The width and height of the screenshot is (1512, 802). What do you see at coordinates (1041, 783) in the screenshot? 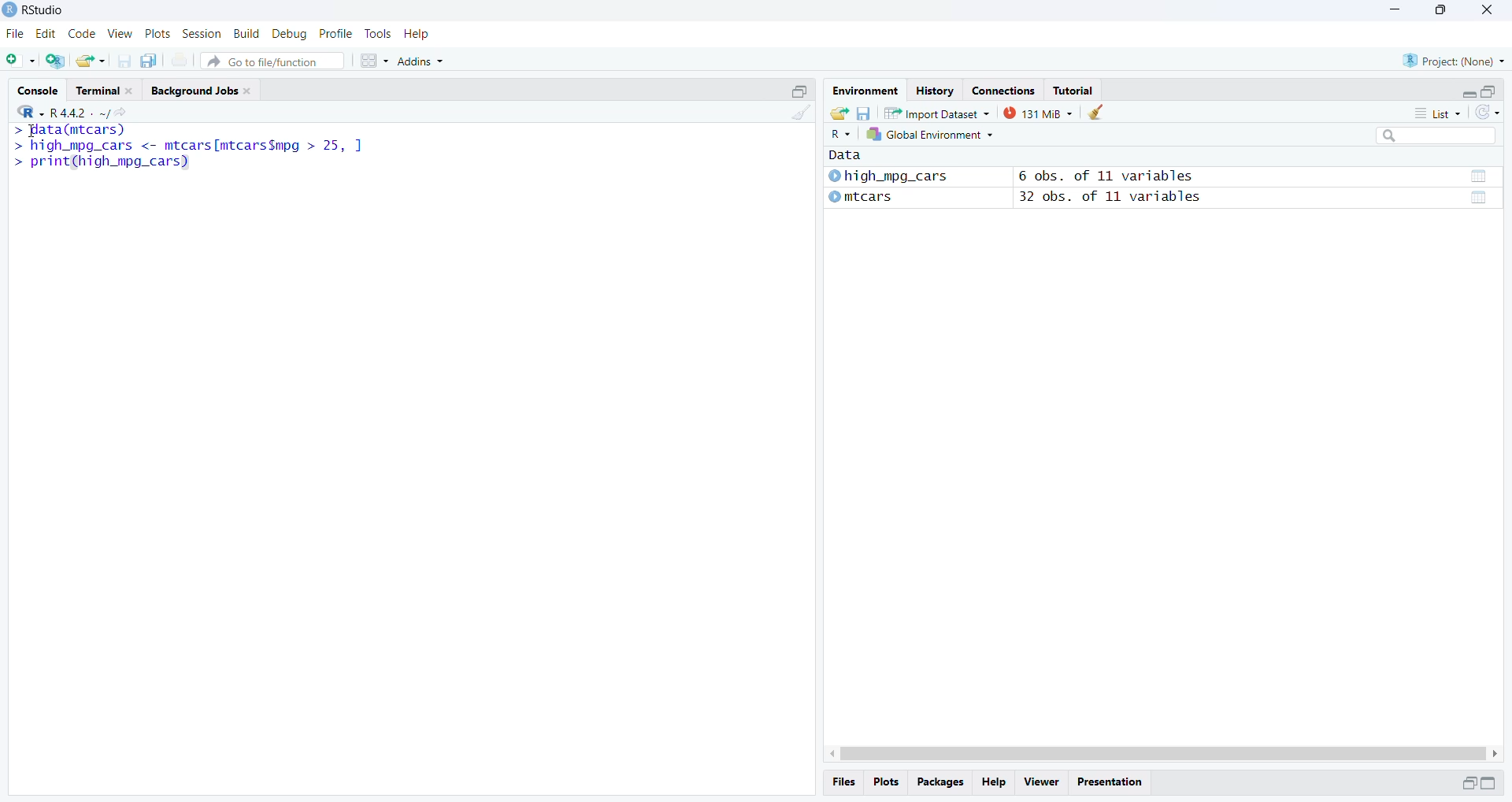
I see `Viewer` at bounding box center [1041, 783].